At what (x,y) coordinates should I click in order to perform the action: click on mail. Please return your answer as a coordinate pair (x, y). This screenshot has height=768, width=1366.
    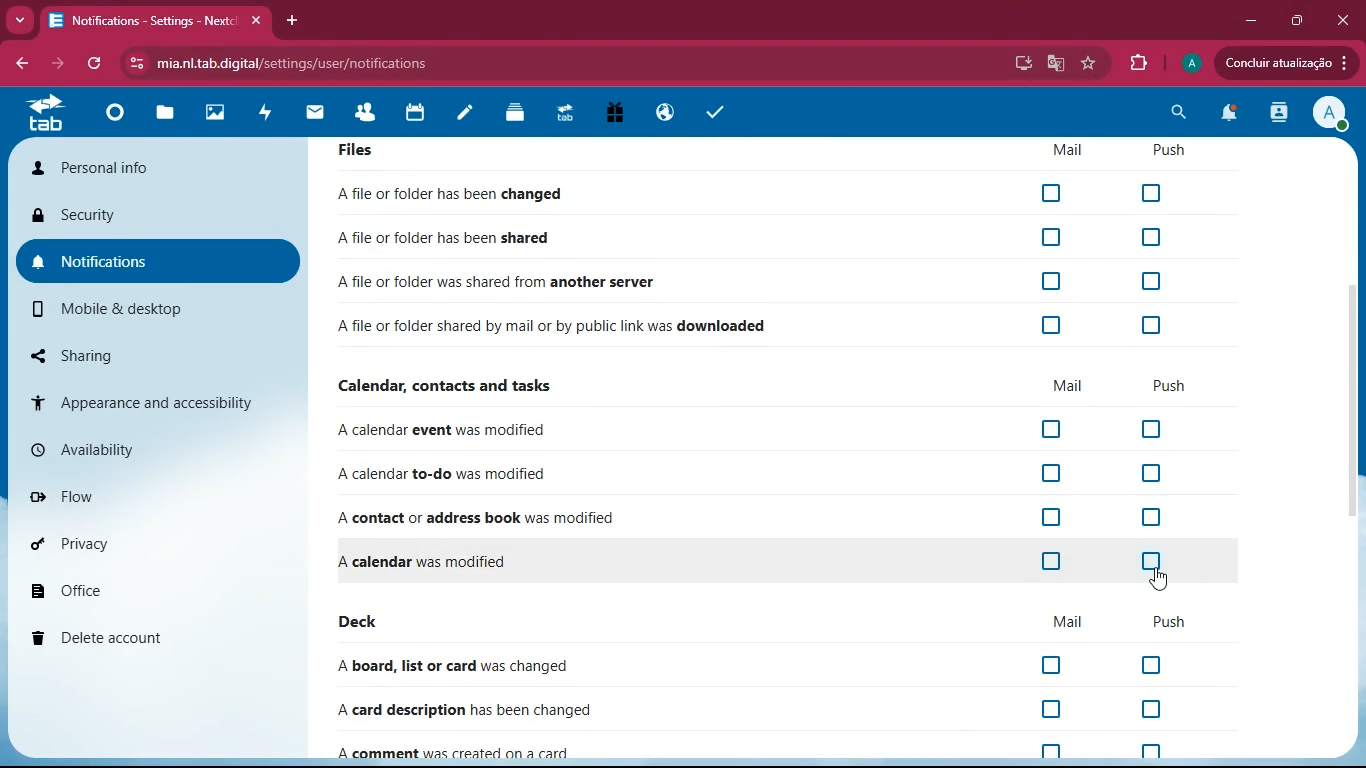
    Looking at the image, I should click on (322, 115).